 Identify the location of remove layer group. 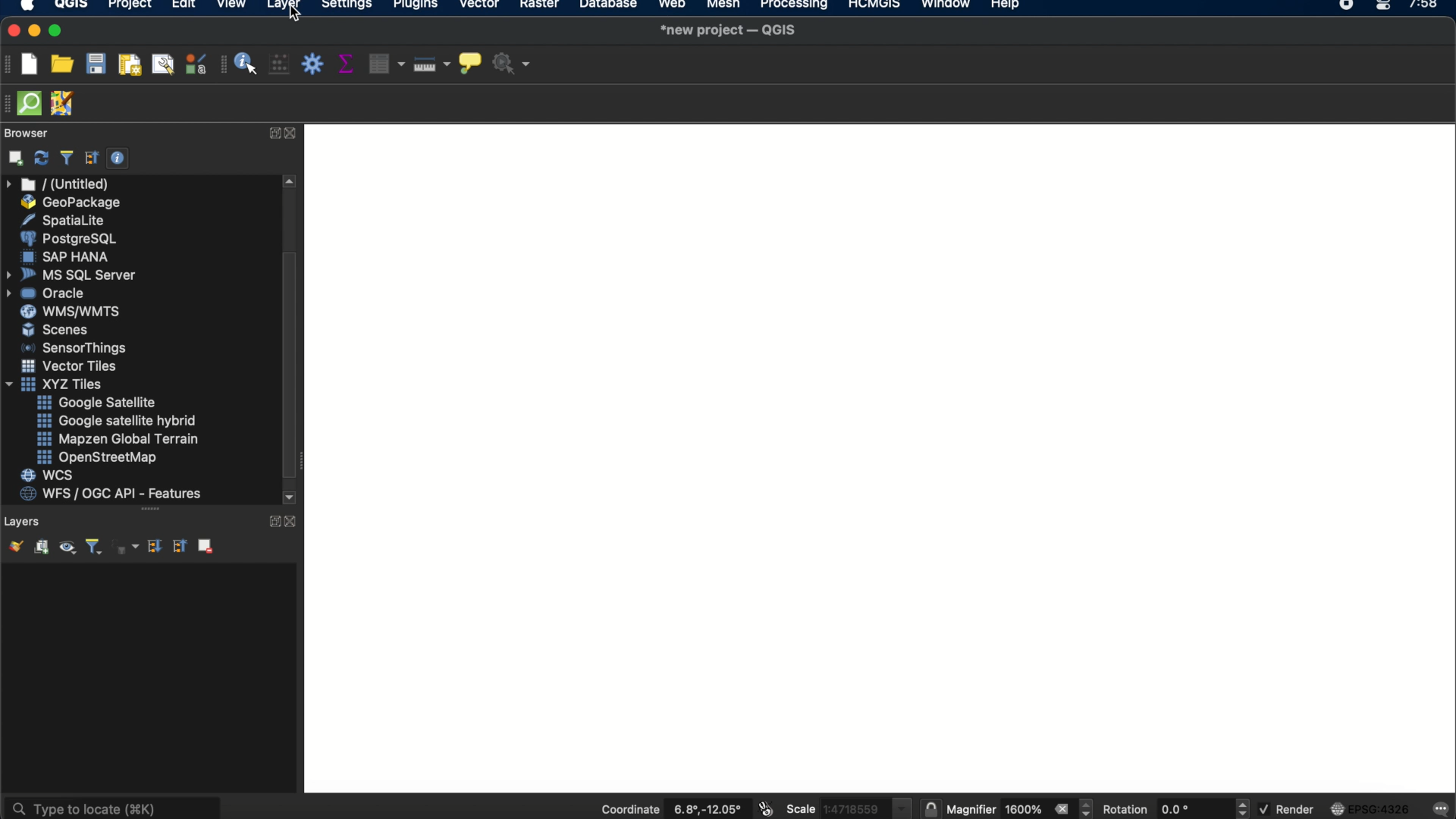
(204, 545).